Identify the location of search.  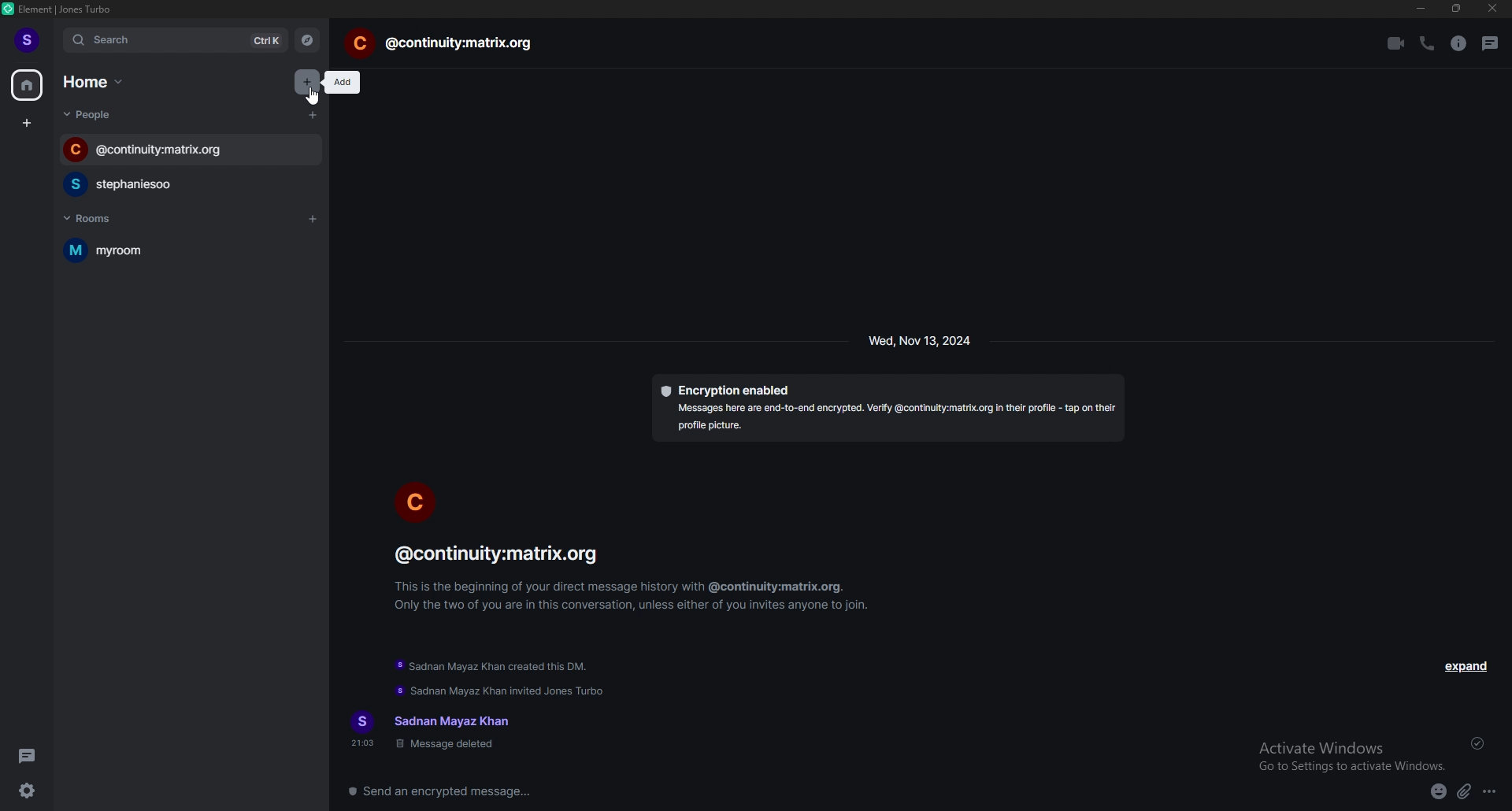
(177, 41).